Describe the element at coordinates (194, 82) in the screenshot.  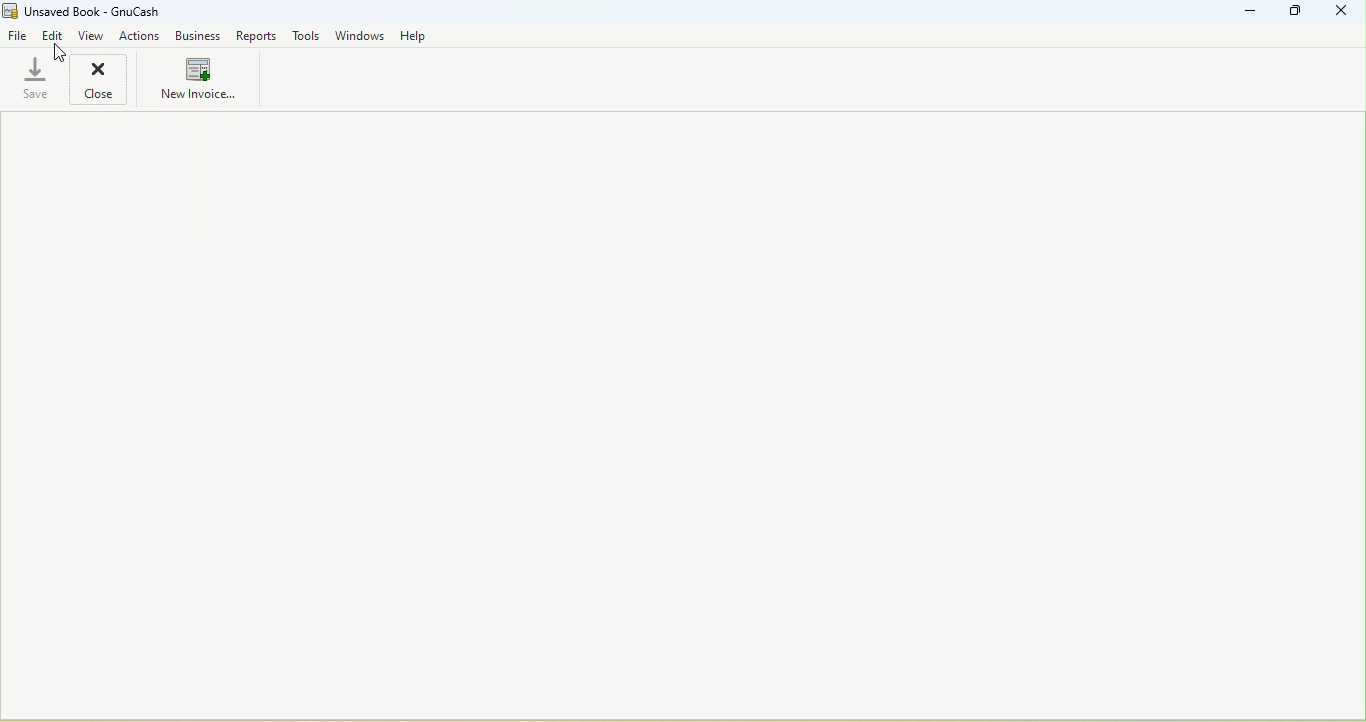
I see `New invoices` at that location.